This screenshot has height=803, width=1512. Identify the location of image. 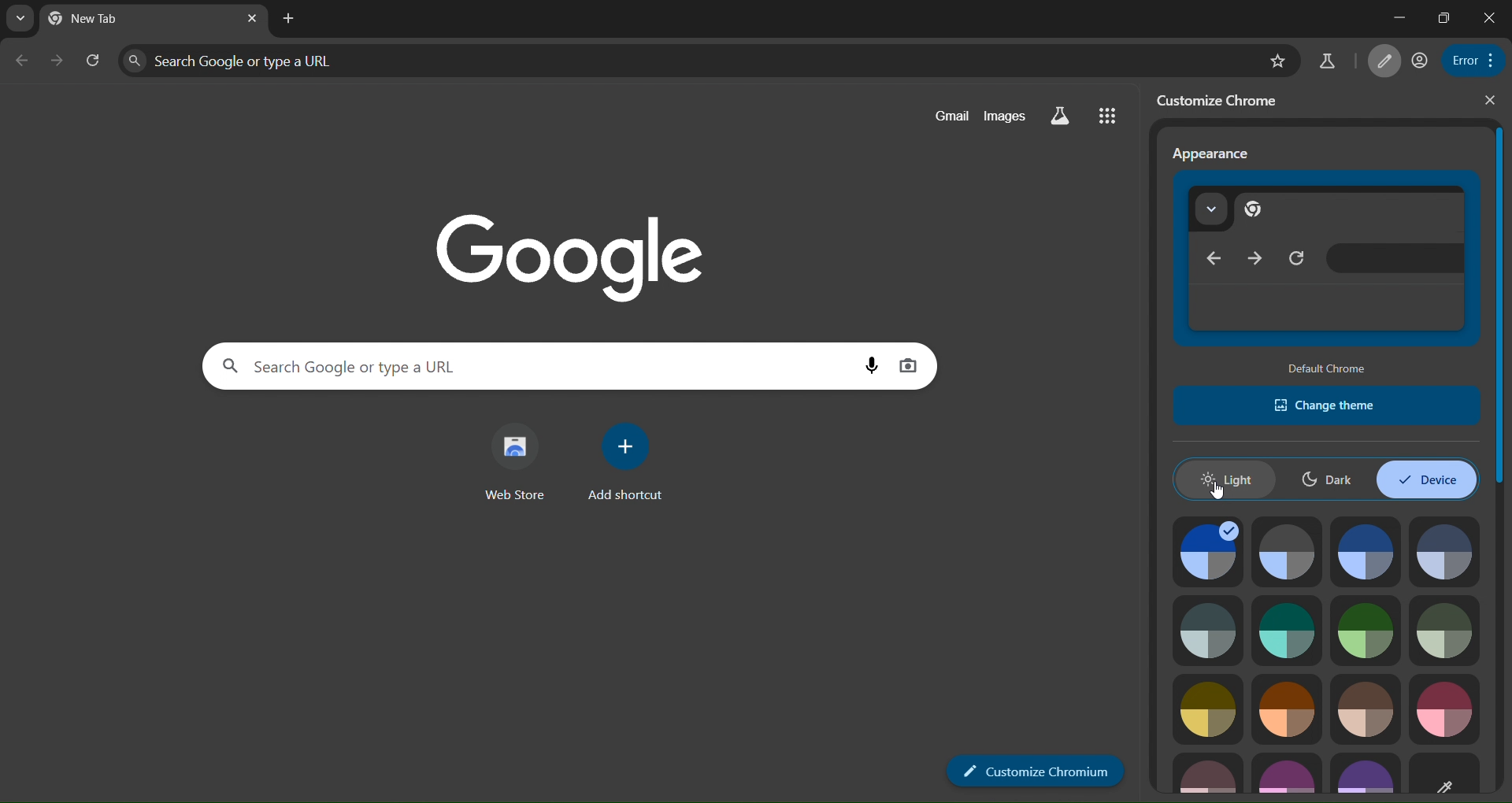
(1366, 774).